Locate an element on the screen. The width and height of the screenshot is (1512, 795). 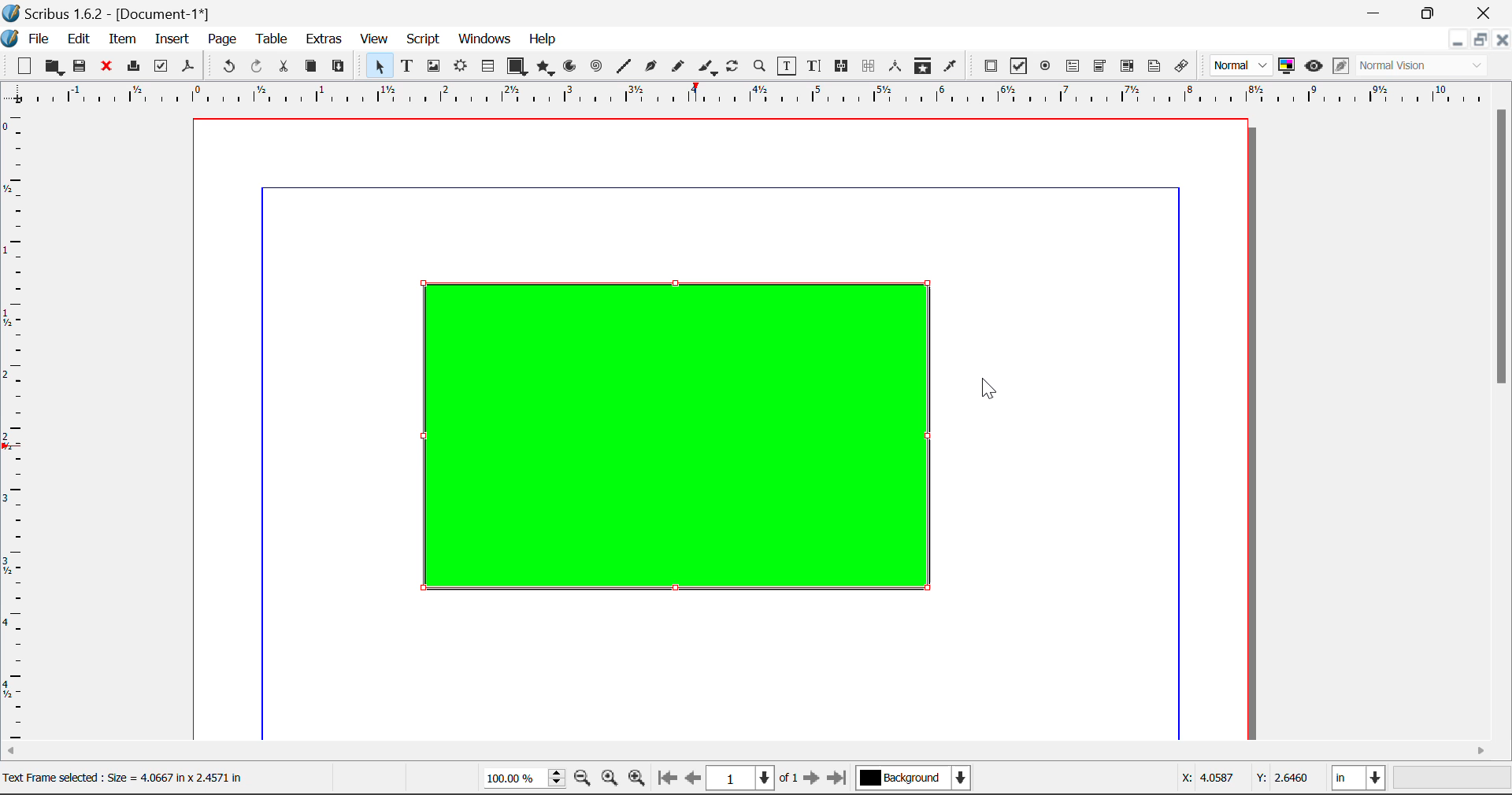
First Page is located at coordinates (667, 780).